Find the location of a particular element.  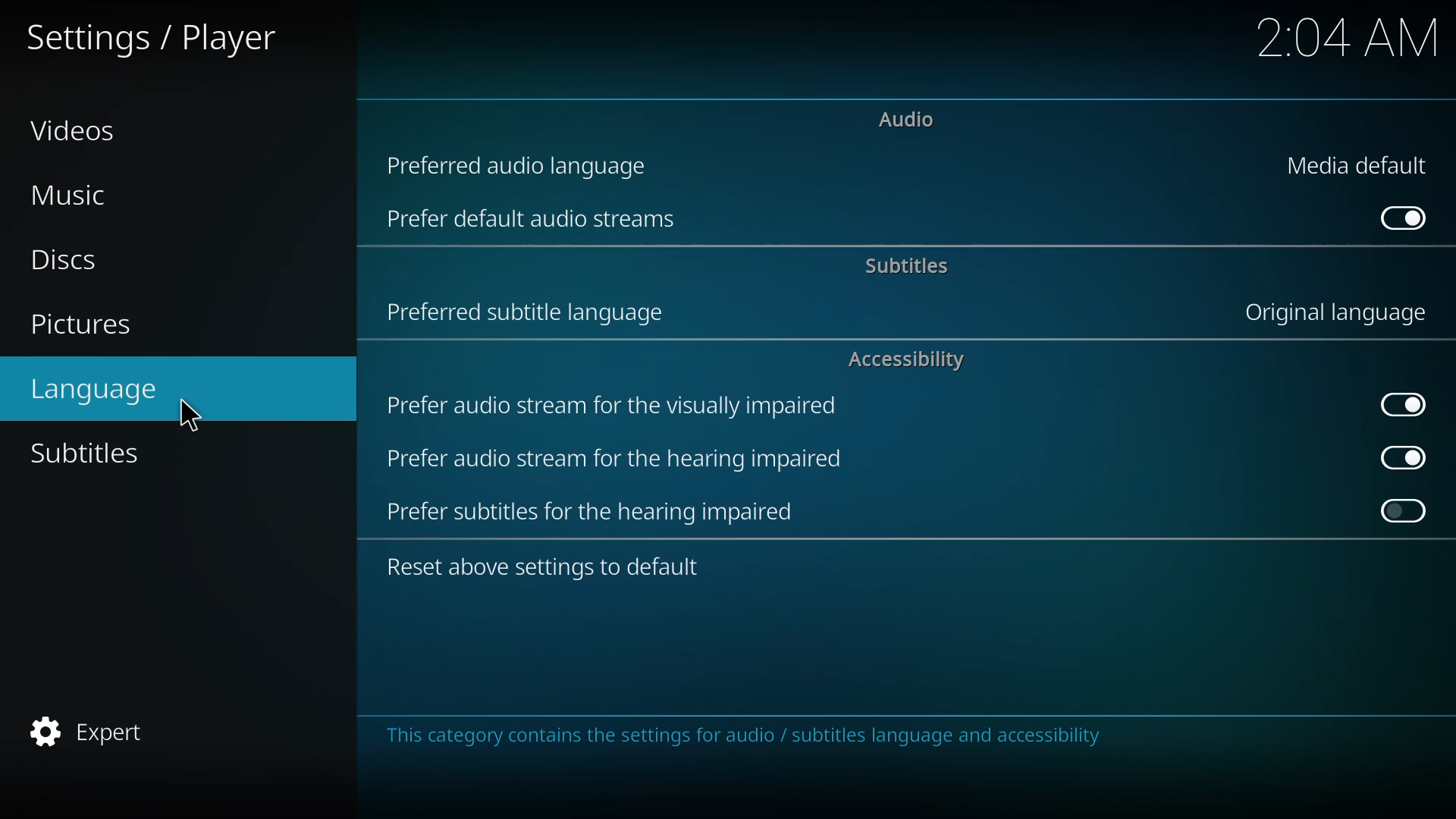

preferred audio language is located at coordinates (519, 165).